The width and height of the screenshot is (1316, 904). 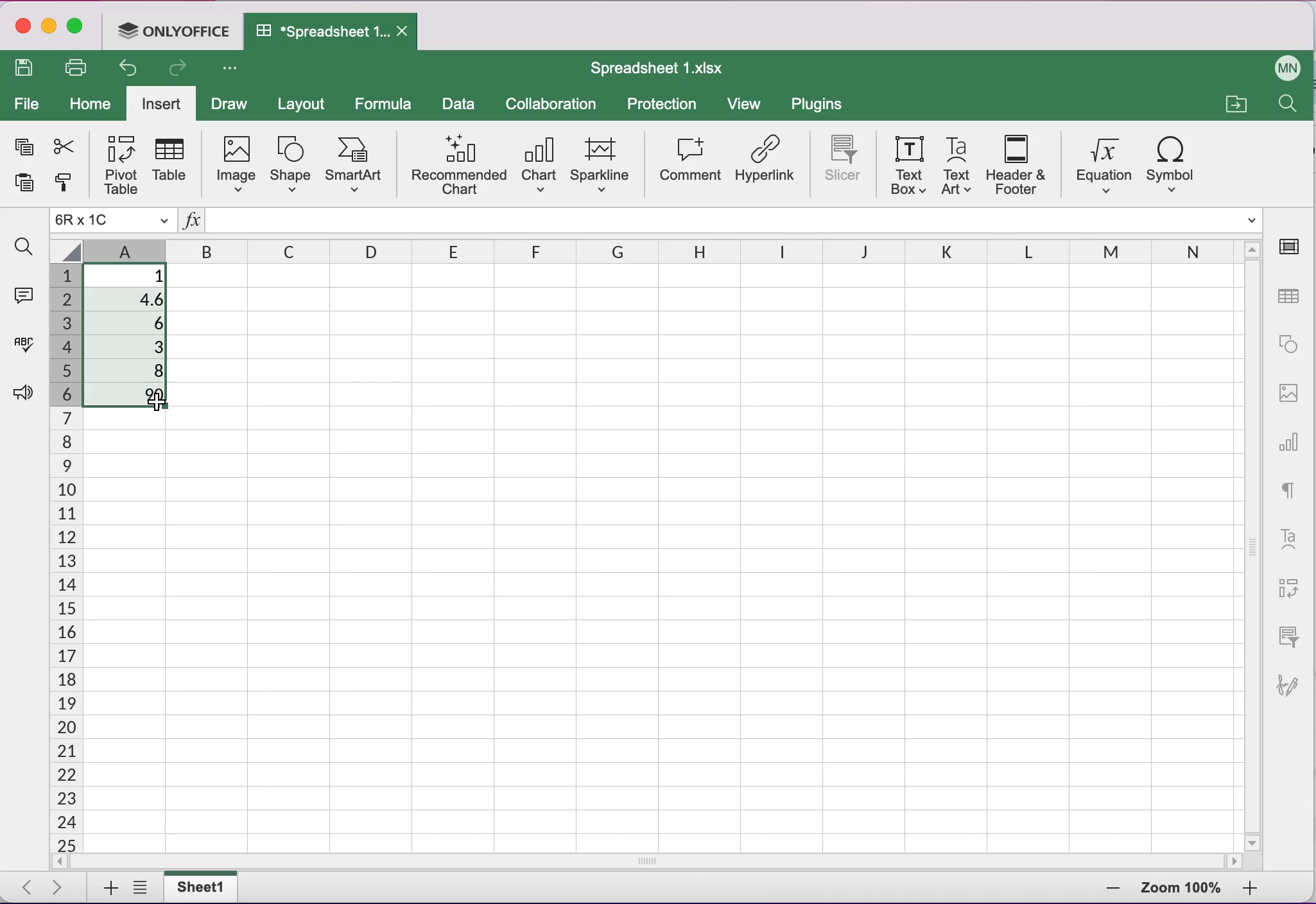 What do you see at coordinates (1175, 164) in the screenshot?
I see `symbol` at bounding box center [1175, 164].